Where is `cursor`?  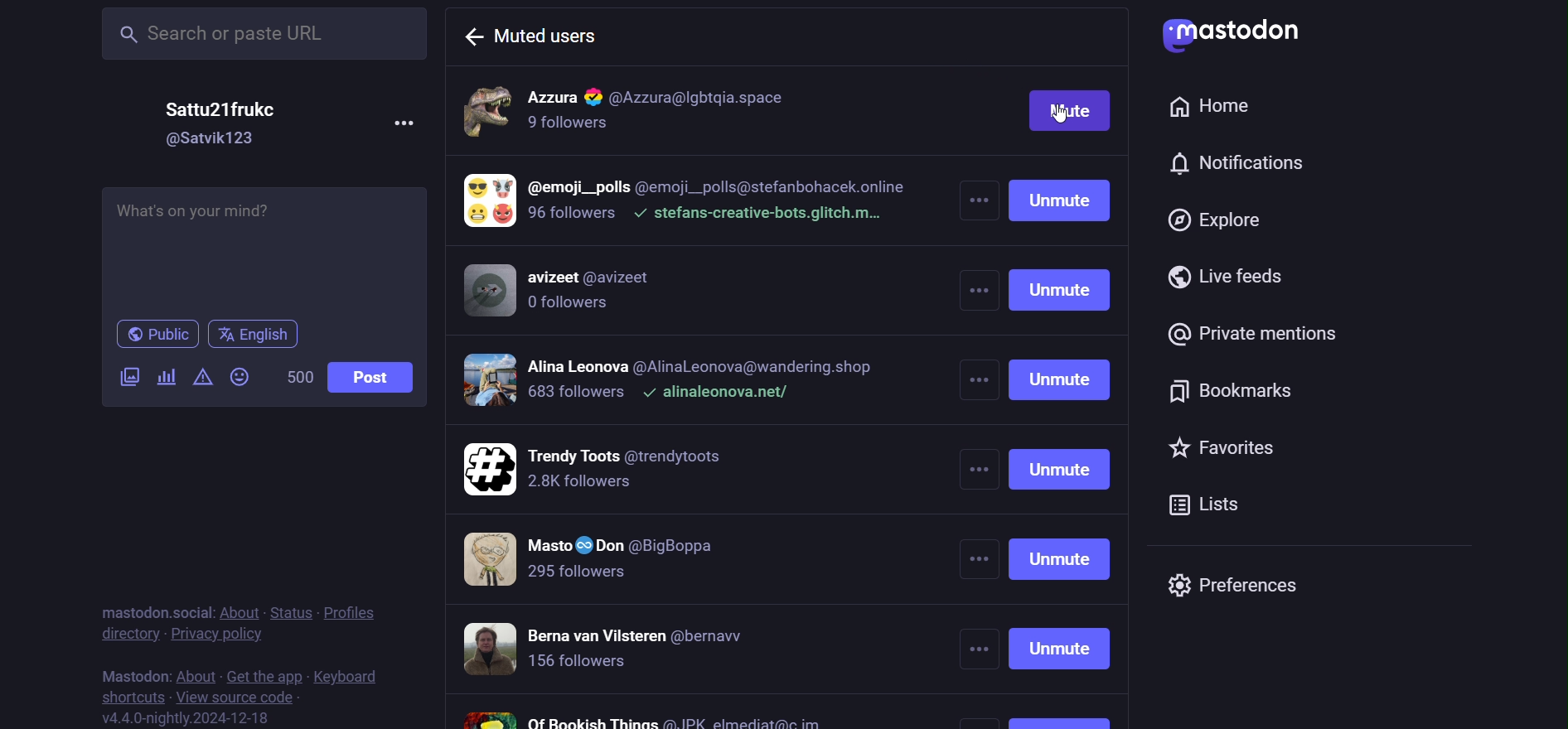 cursor is located at coordinates (1064, 116).